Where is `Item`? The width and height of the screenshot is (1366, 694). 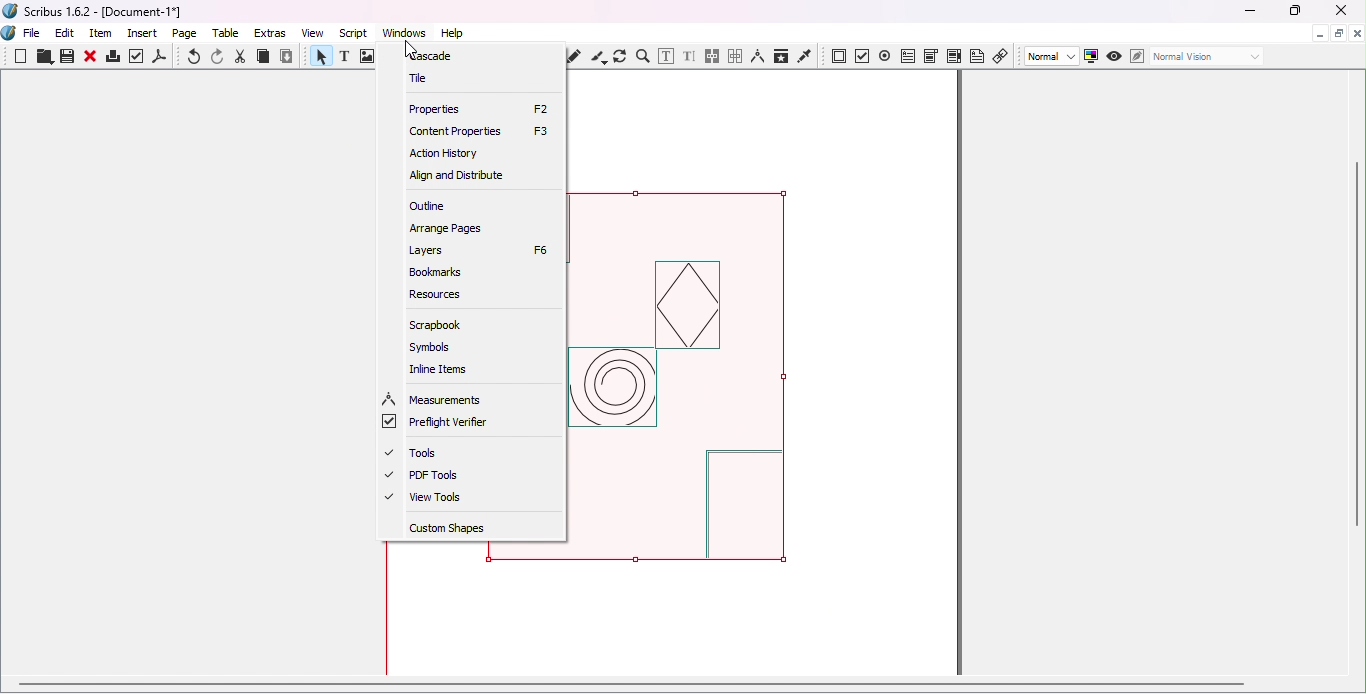
Item is located at coordinates (102, 34).